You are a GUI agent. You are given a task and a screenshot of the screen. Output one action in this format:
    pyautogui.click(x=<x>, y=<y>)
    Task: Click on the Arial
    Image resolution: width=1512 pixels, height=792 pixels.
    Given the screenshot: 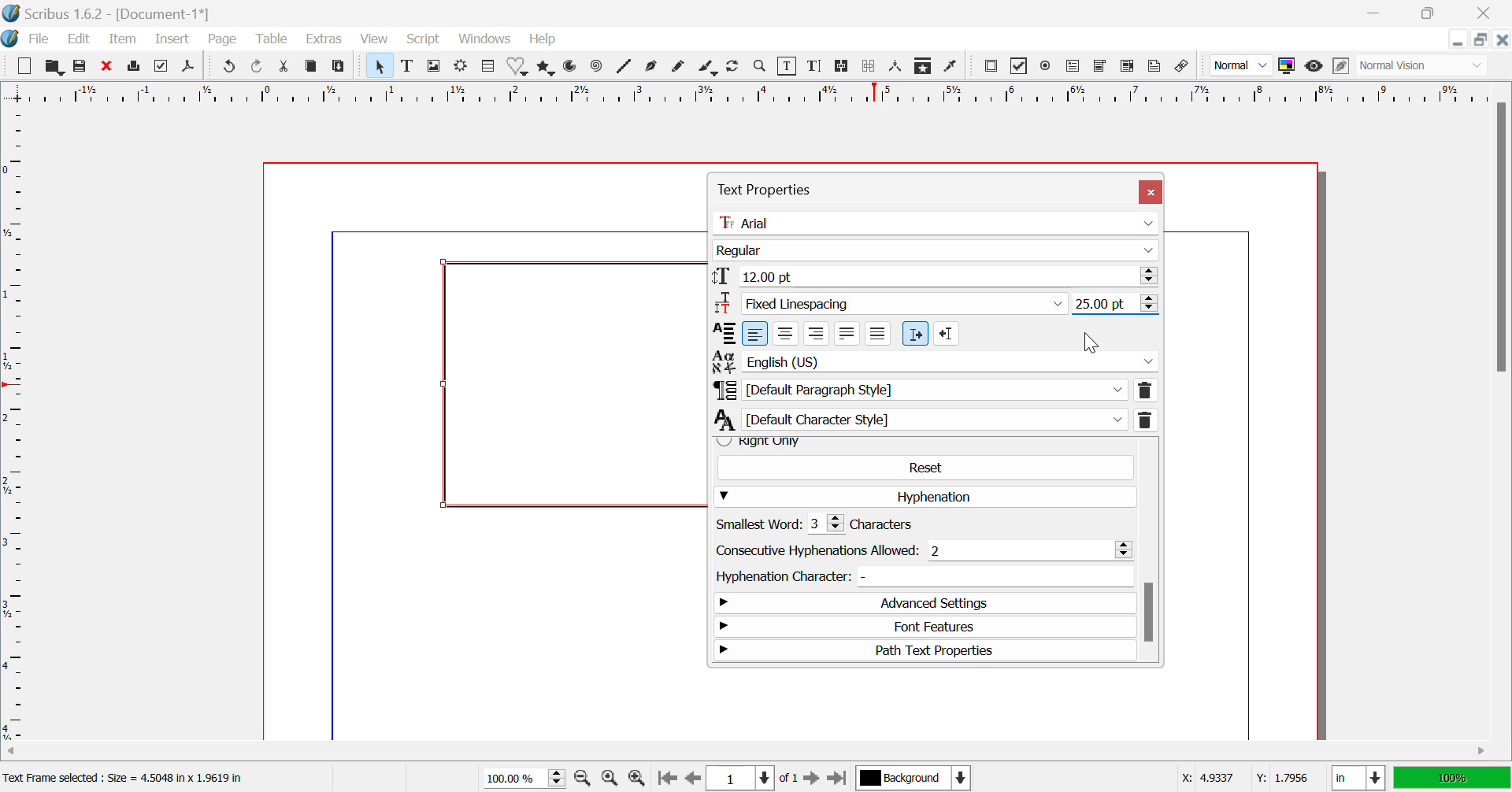 What is the action you would take?
    pyautogui.click(x=939, y=222)
    